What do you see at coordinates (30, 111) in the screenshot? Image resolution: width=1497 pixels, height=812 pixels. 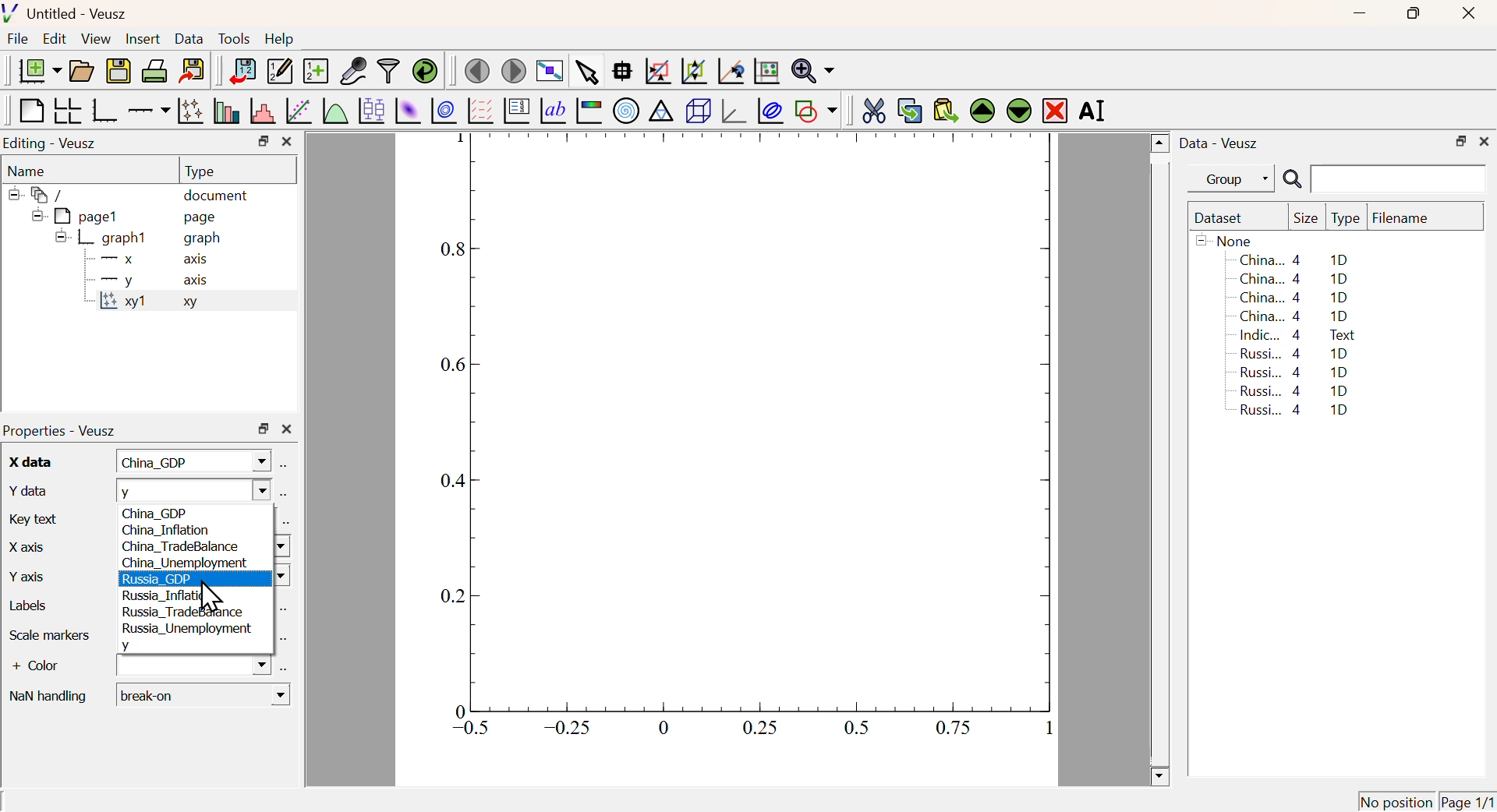 I see `Blank Page` at bounding box center [30, 111].